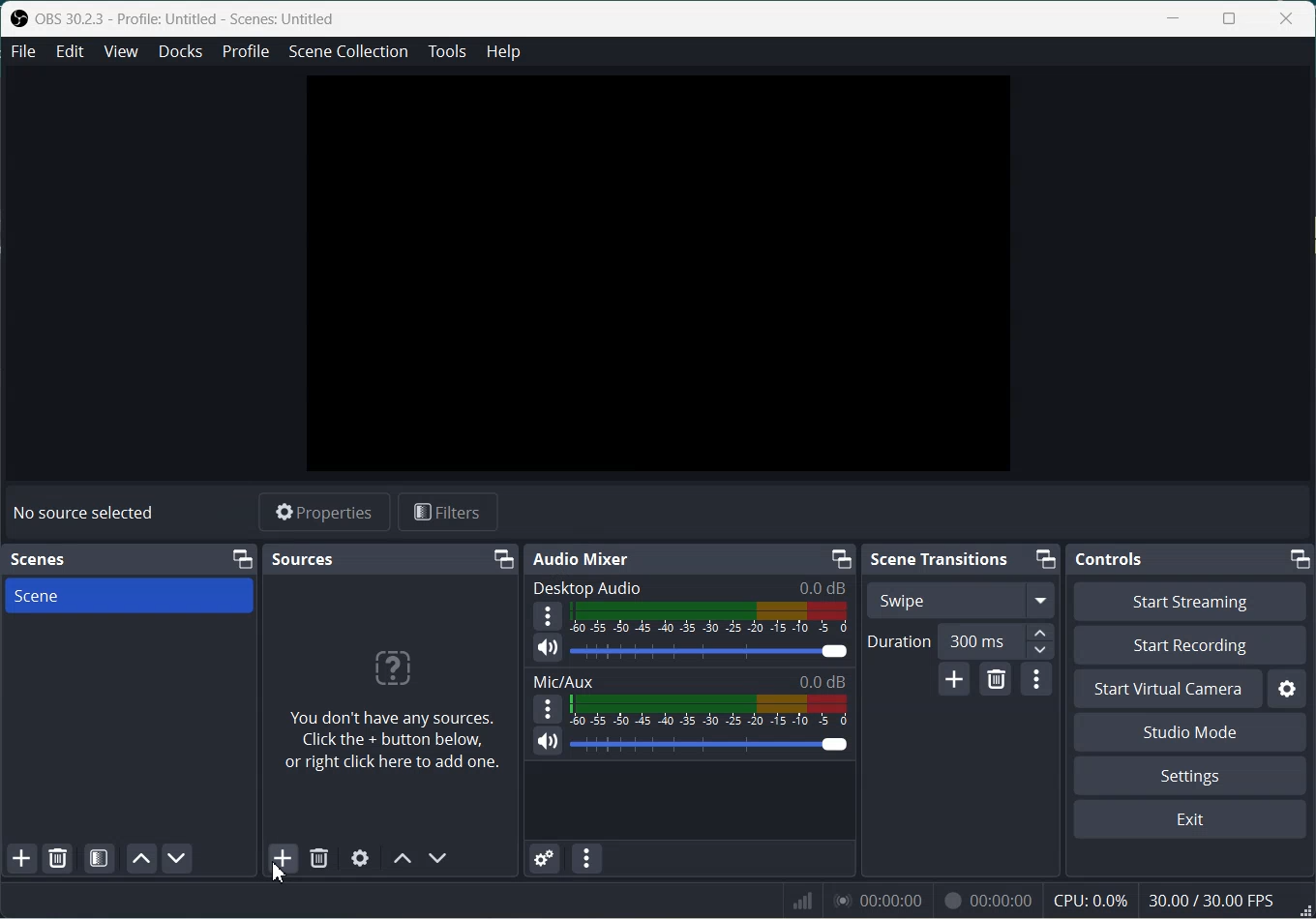 This screenshot has height=919, width=1316. What do you see at coordinates (20, 51) in the screenshot?
I see `File` at bounding box center [20, 51].